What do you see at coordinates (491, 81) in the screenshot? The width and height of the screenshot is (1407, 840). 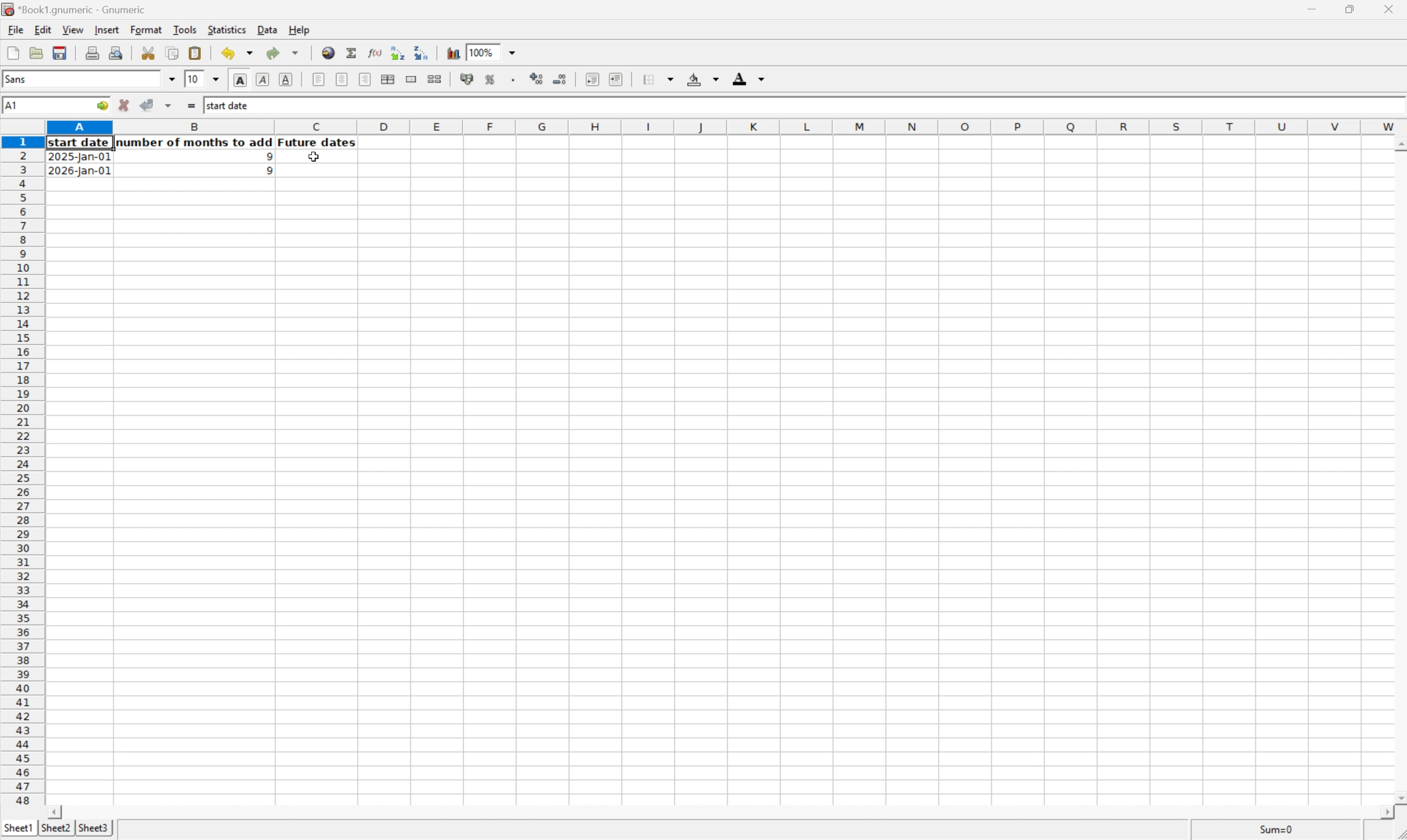 I see `Format the selection as percentage` at bounding box center [491, 81].